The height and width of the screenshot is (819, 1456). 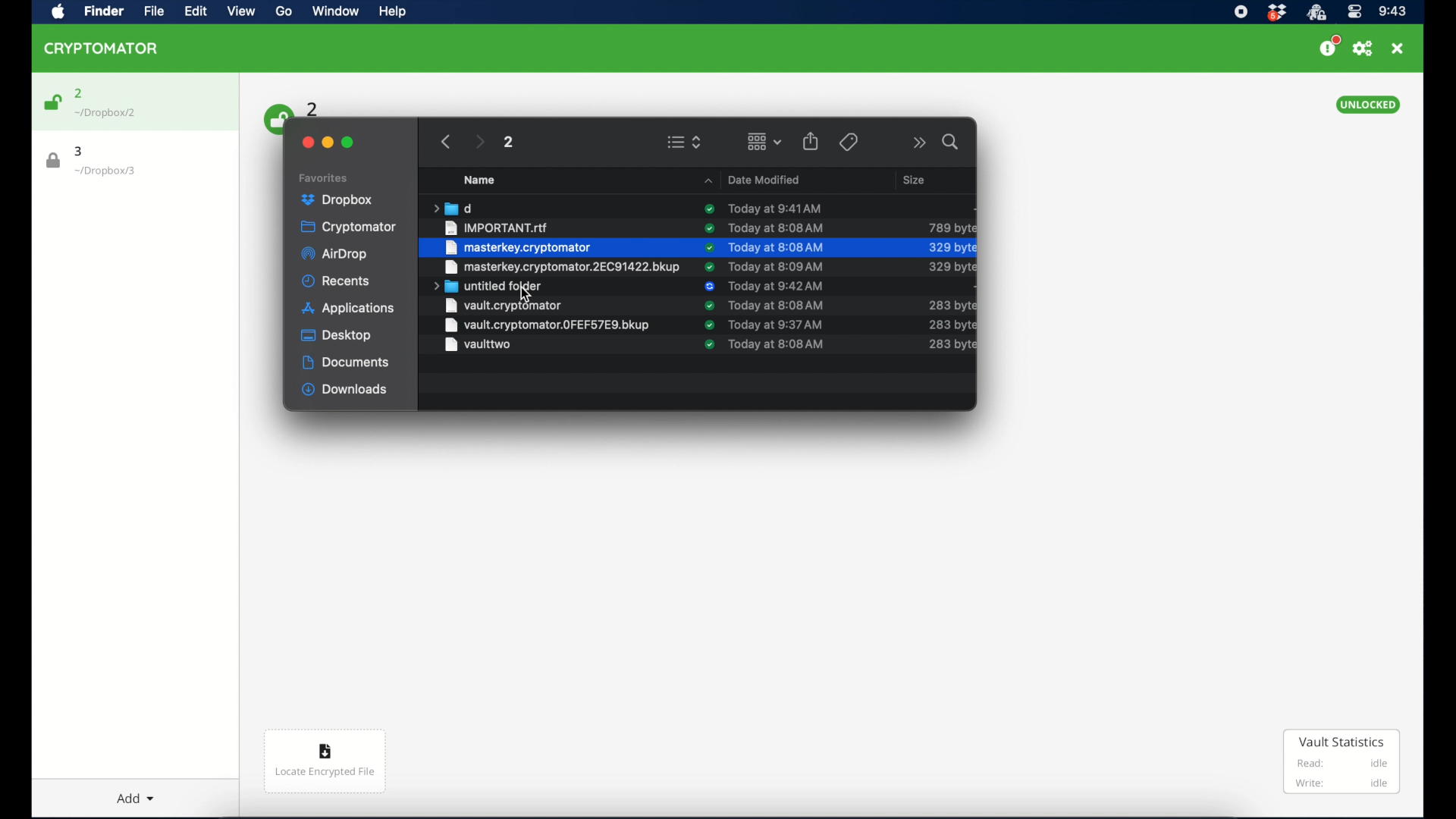 What do you see at coordinates (241, 11) in the screenshot?
I see `view` at bounding box center [241, 11].